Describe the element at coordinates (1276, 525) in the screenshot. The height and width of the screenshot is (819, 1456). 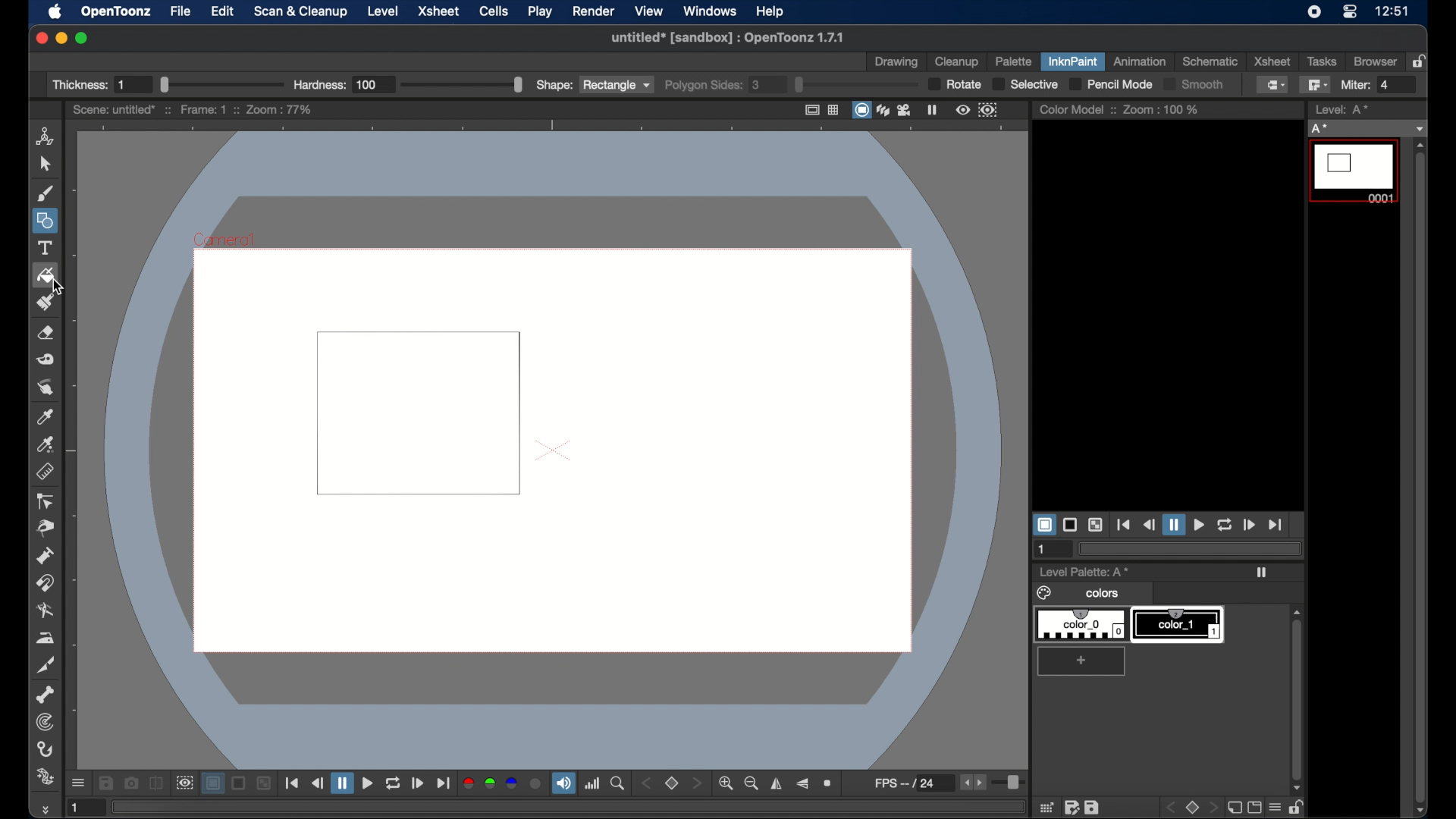
I see `jump to end` at that location.